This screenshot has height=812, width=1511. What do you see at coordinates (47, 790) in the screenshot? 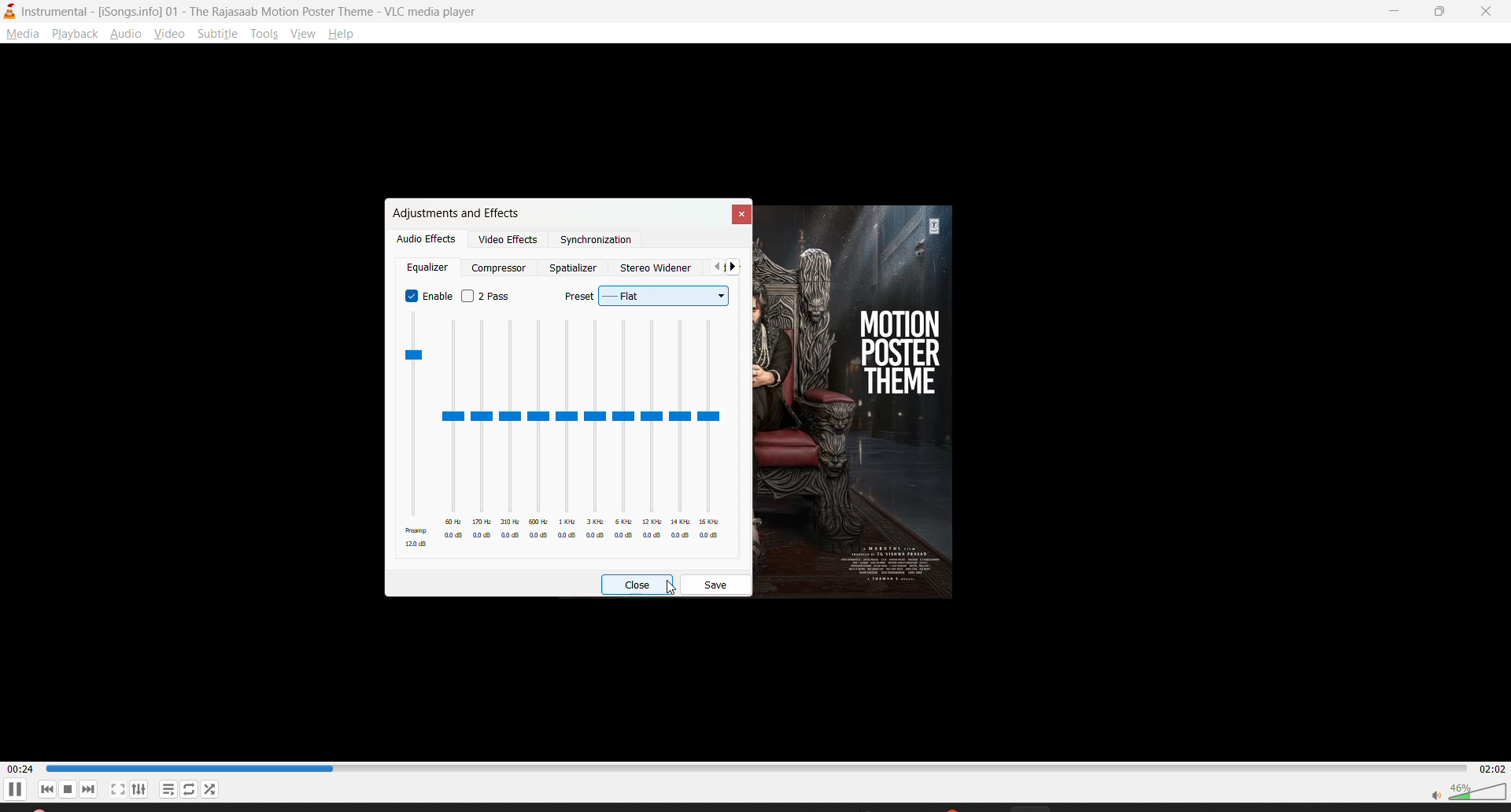
I see `previous` at bounding box center [47, 790].